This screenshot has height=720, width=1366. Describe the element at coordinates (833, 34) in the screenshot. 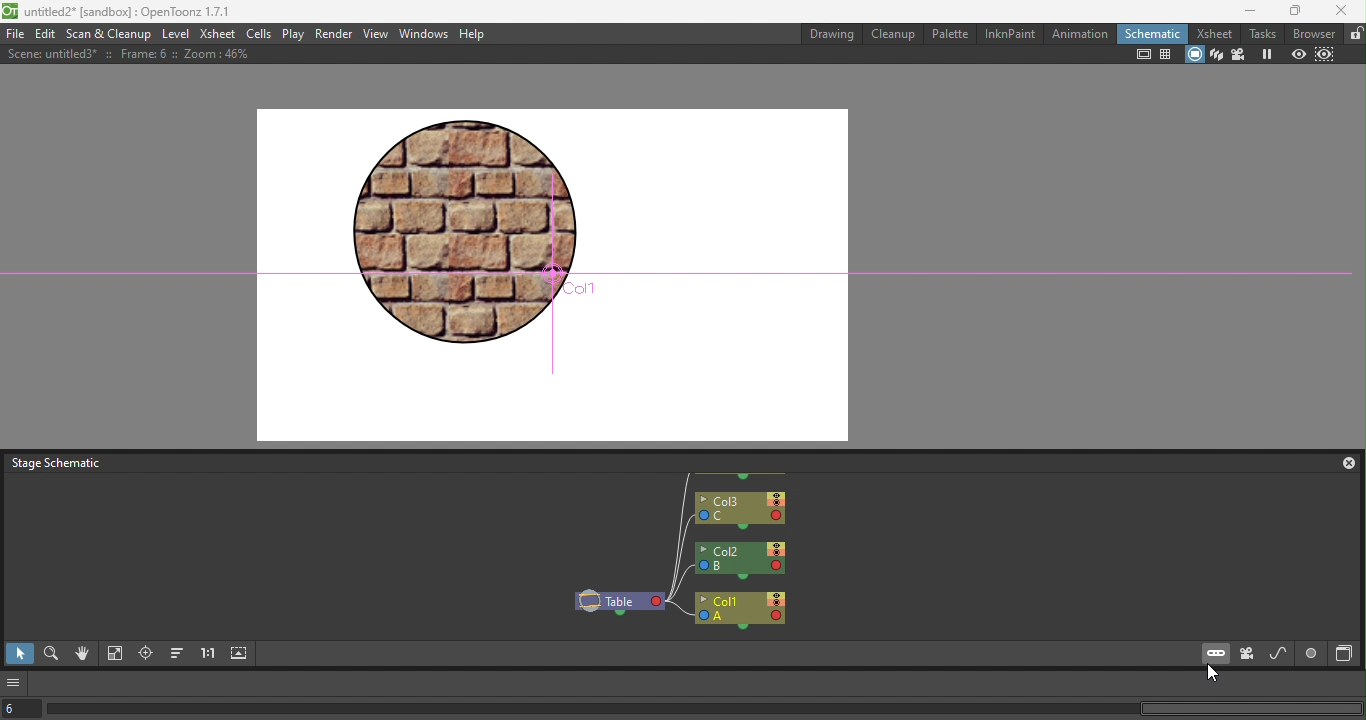

I see `Drawing` at that location.